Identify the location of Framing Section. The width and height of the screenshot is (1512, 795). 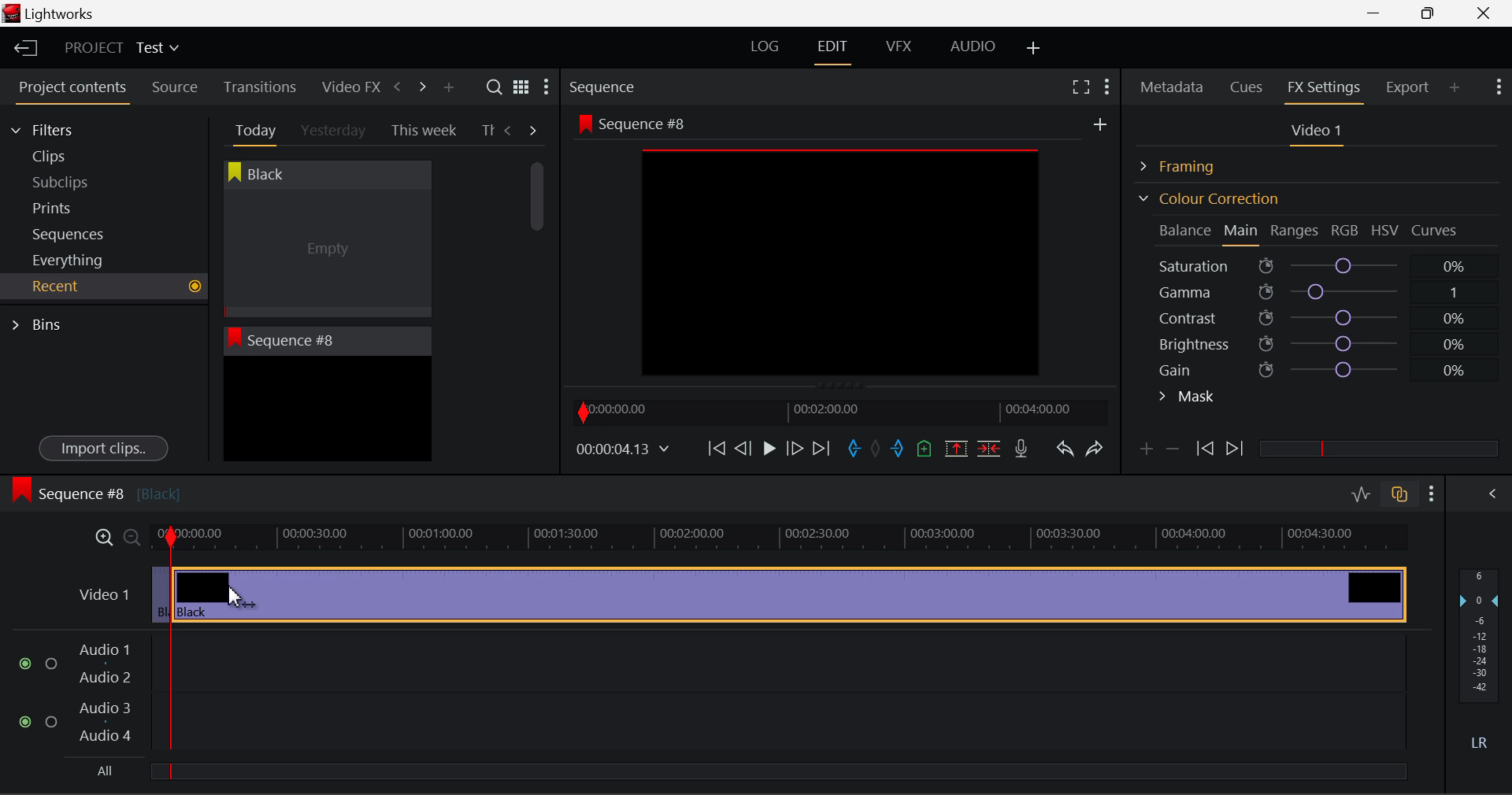
(1190, 164).